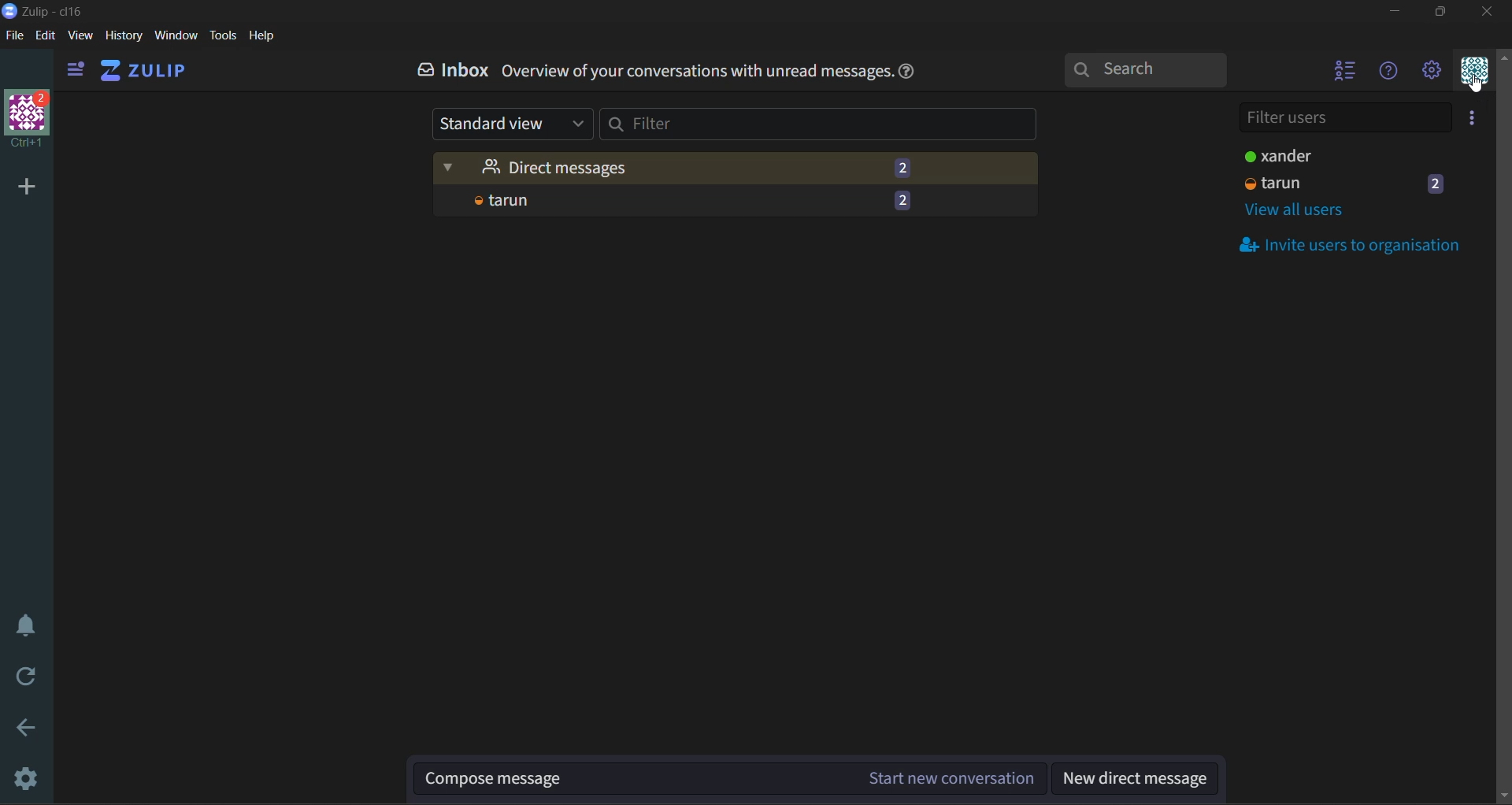  What do you see at coordinates (1136, 777) in the screenshot?
I see `new direct message` at bounding box center [1136, 777].